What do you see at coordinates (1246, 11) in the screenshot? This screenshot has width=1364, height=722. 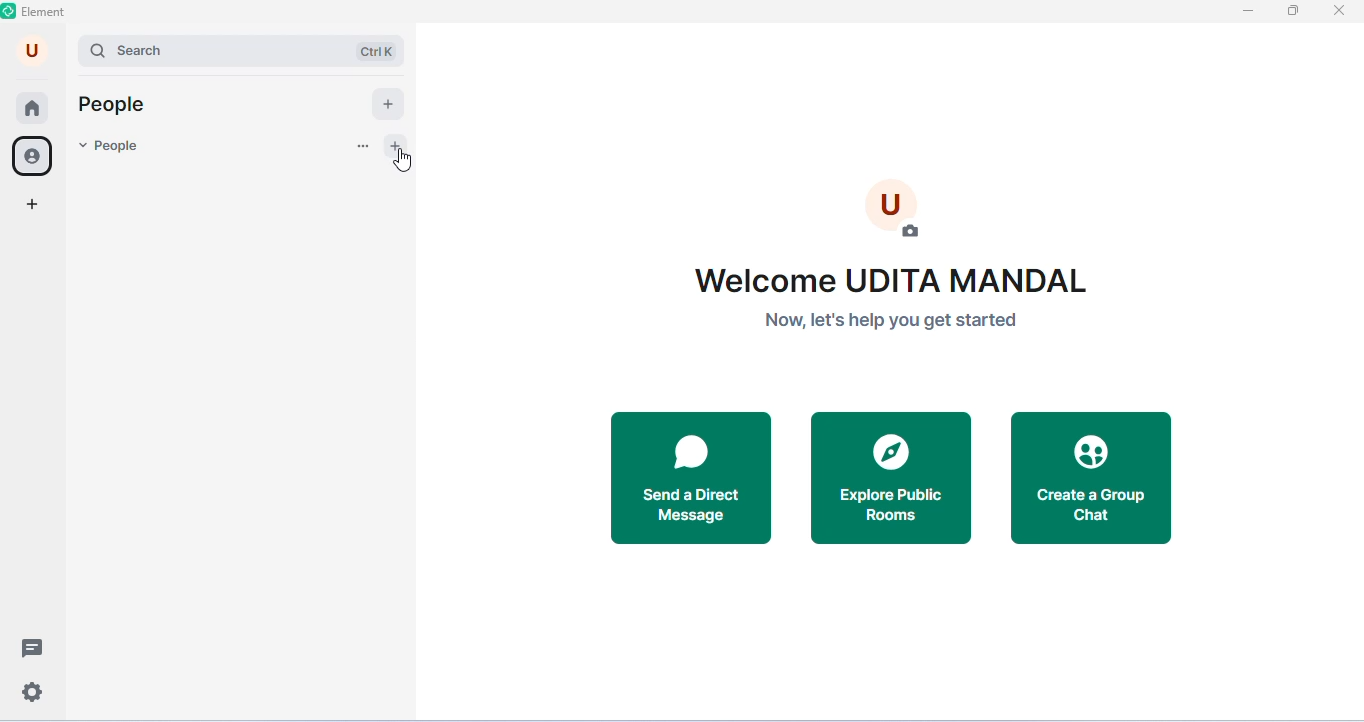 I see `minimize` at bounding box center [1246, 11].